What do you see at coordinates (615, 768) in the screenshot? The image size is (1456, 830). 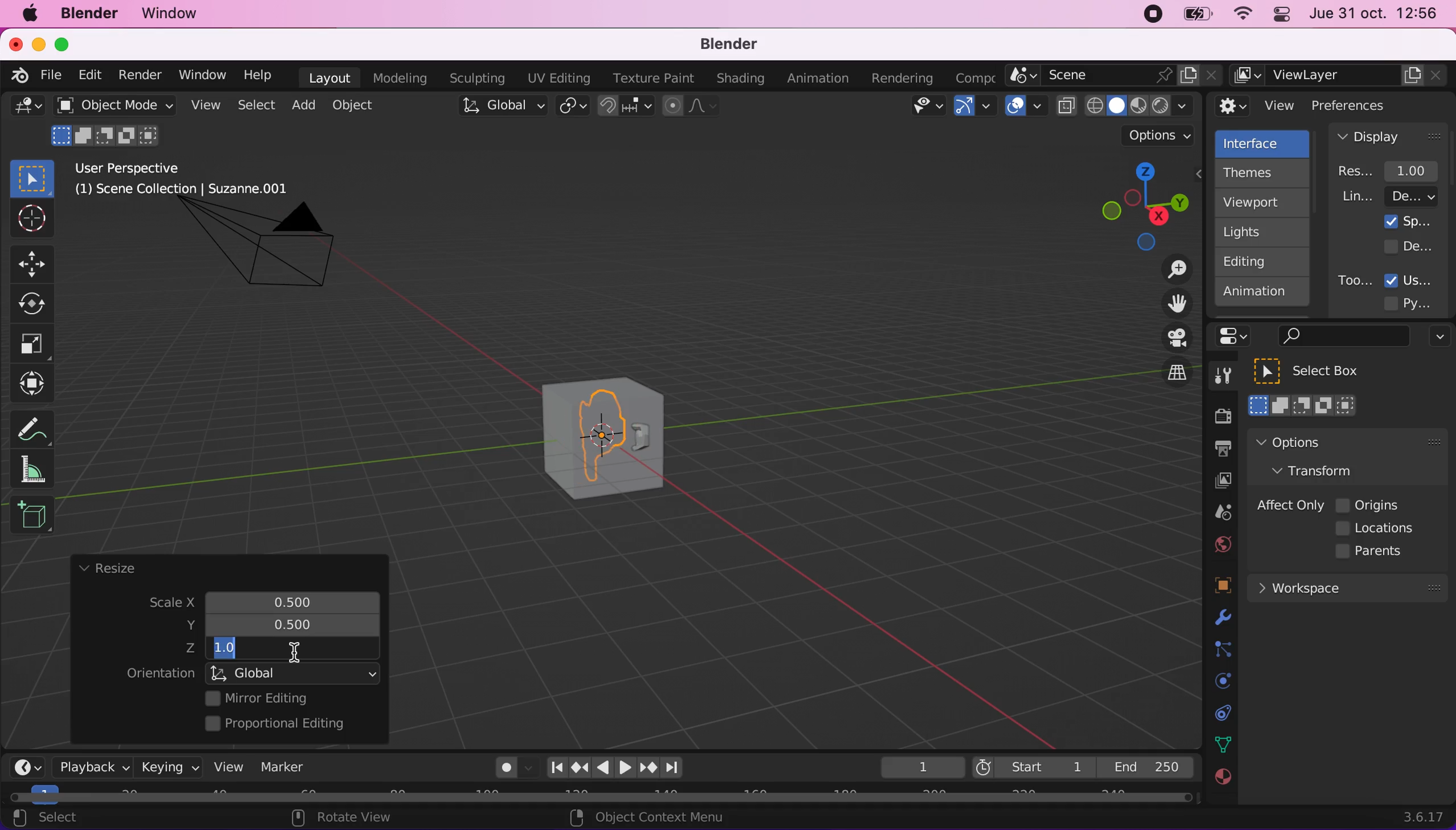 I see `play` at bounding box center [615, 768].